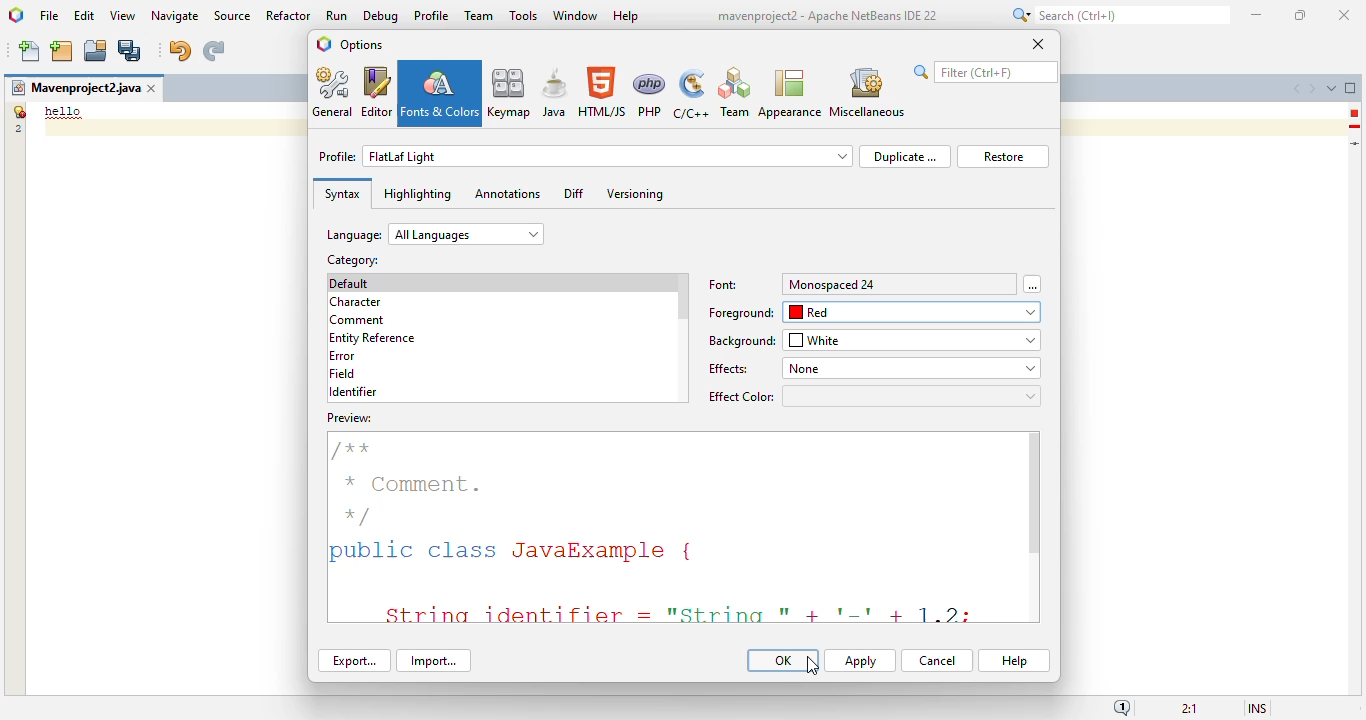 Image resolution: width=1366 pixels, height=720 pixels. Describe the element at coordinates (123, 16) in the screenshot. I see `view` at that location.